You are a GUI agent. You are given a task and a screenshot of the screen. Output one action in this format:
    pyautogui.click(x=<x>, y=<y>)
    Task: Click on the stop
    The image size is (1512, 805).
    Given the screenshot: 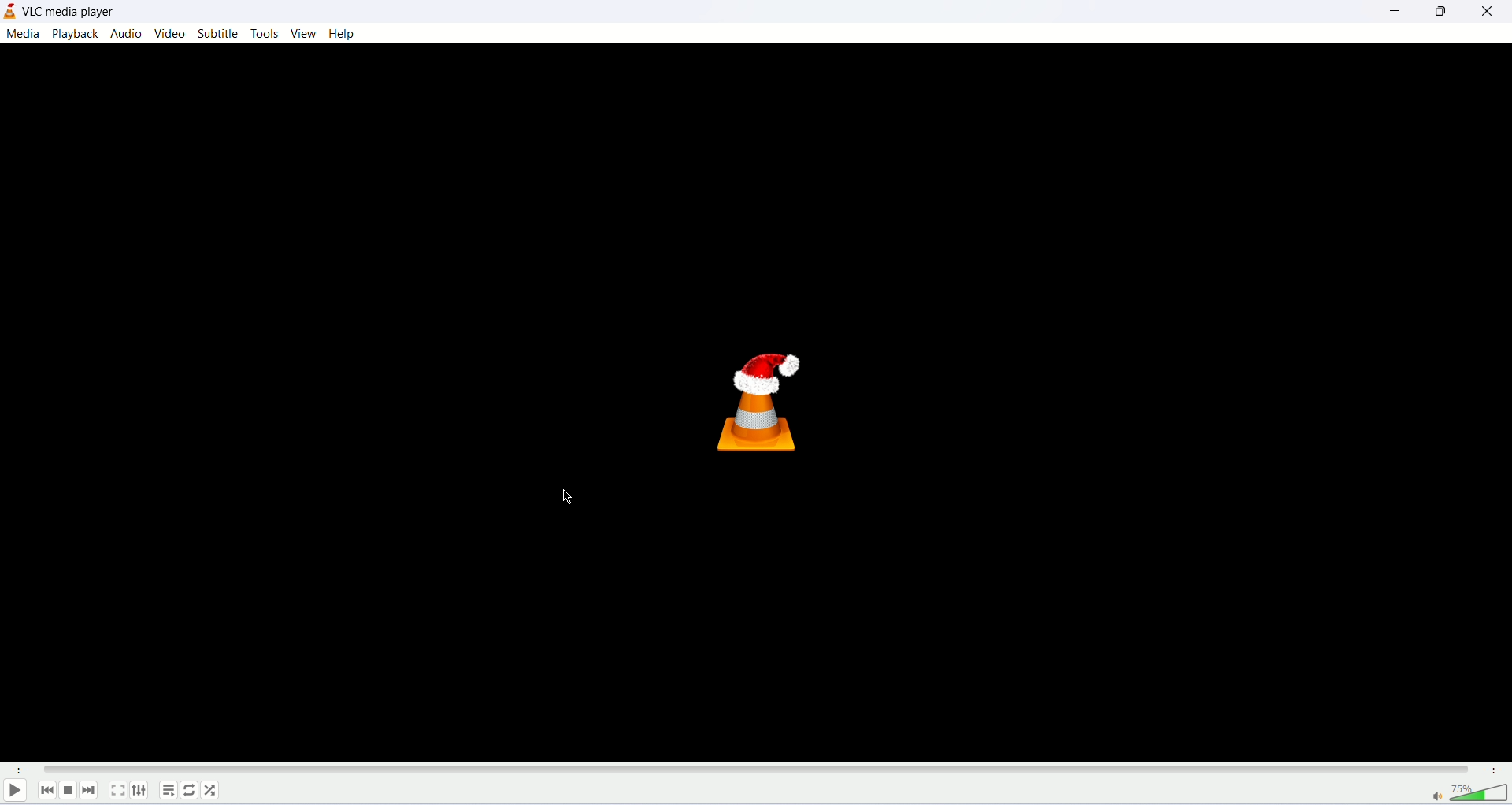 What is the action you would take?
    pyautogui.click(x=68, y=791)
    